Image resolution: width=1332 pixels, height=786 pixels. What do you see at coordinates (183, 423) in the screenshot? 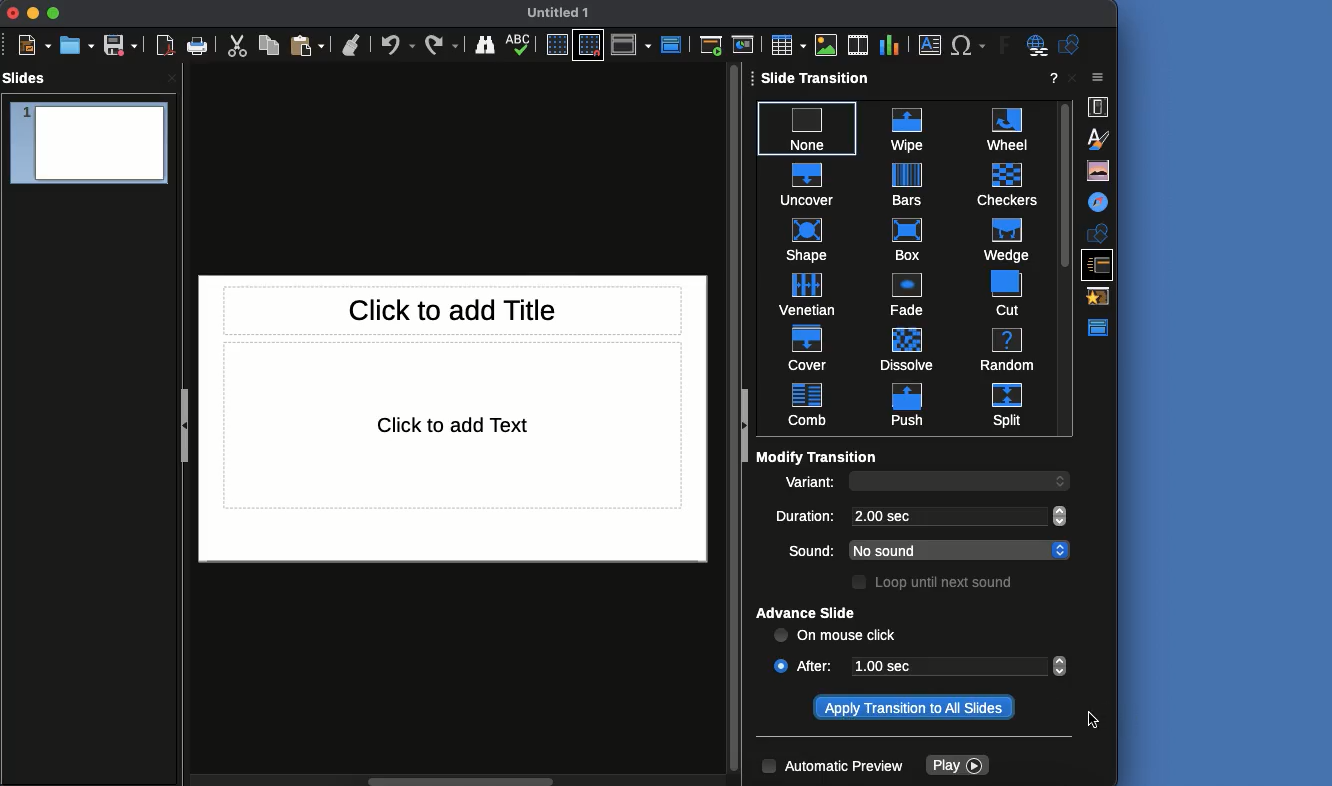
I see `Collapse` at bounding box center [183, 423].